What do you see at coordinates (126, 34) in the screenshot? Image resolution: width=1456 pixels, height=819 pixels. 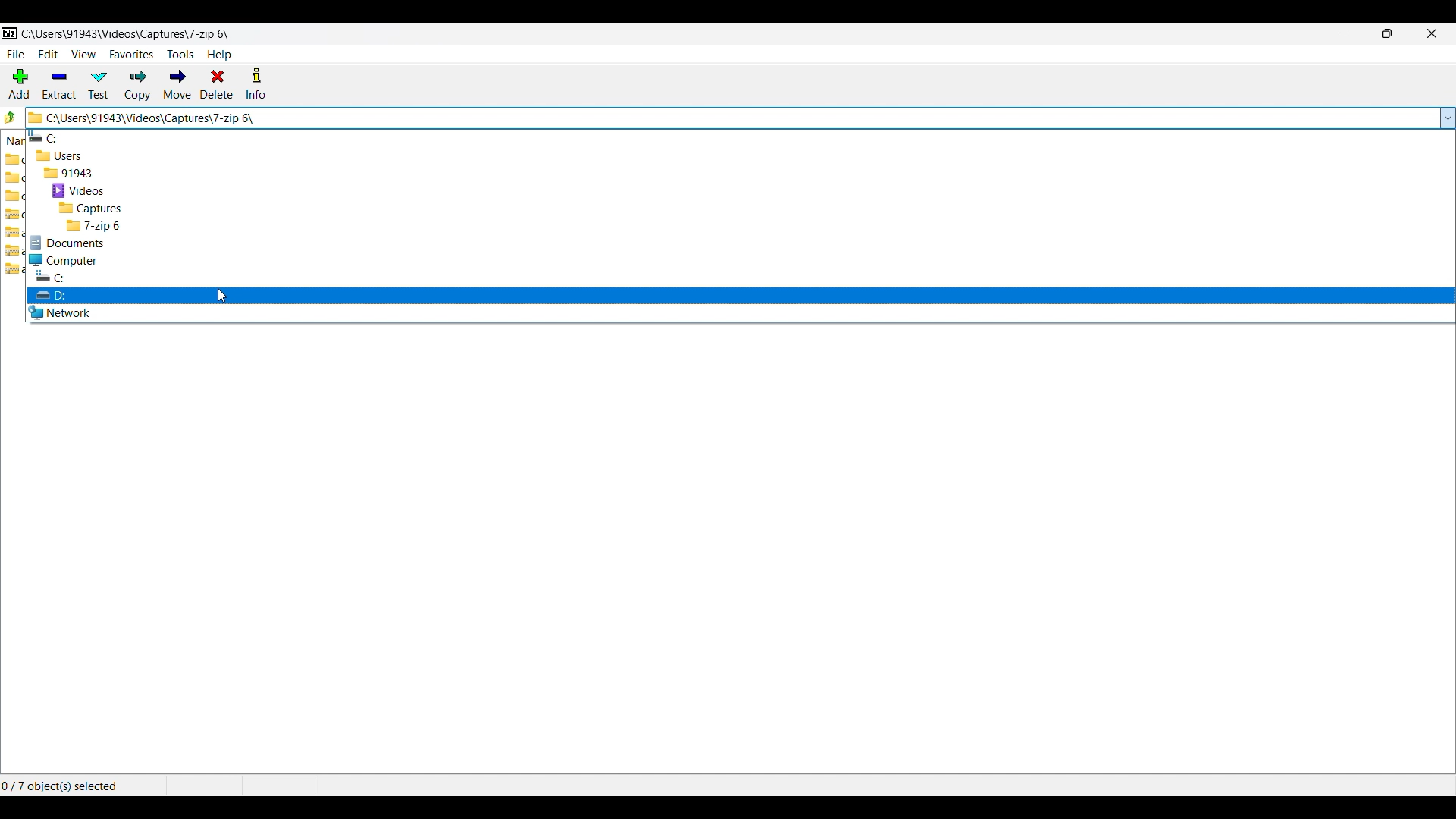 I see `Location of current file` at bounding box center [126, 34].